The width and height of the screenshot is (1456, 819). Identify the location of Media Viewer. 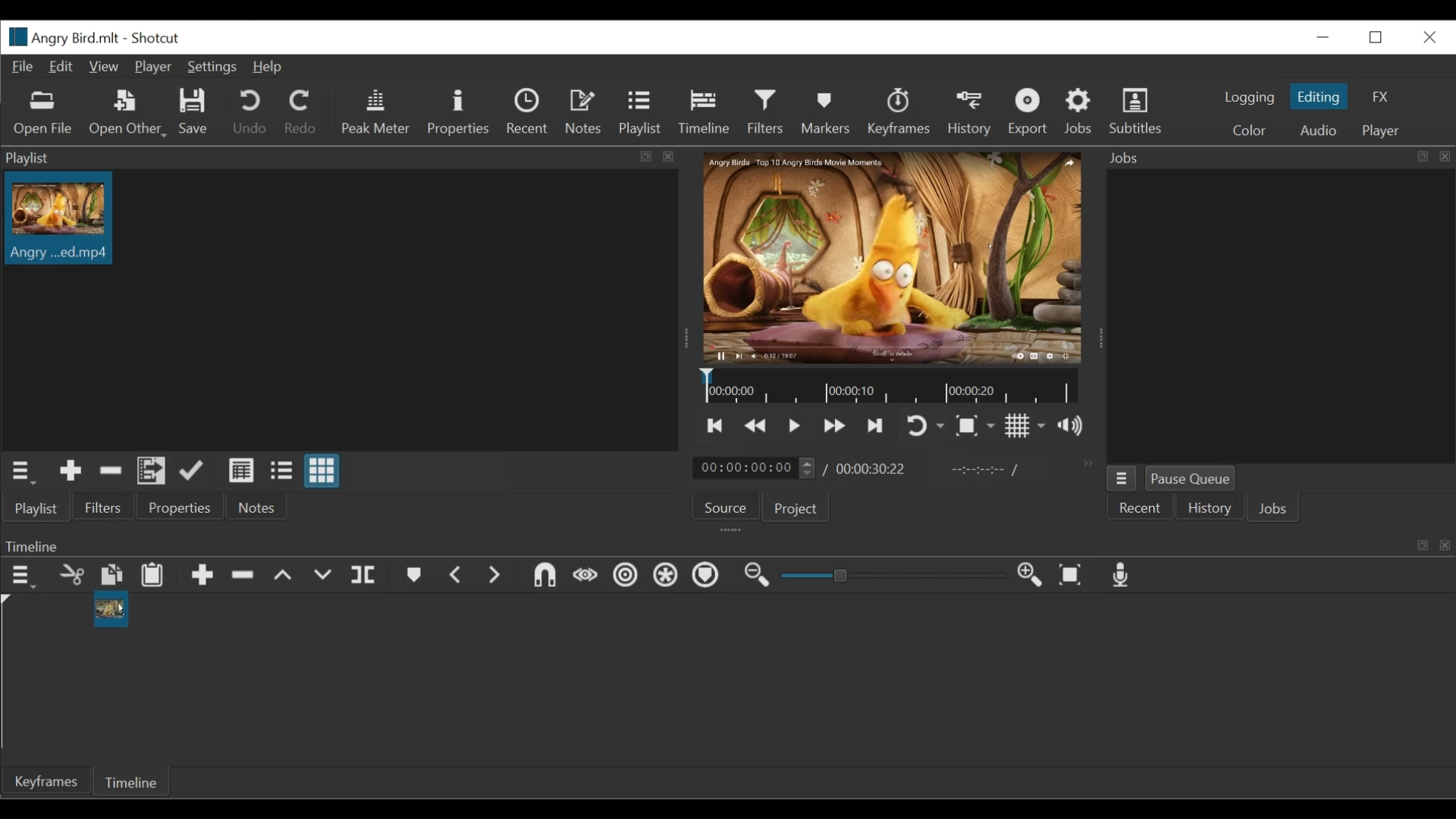
(893, 259).